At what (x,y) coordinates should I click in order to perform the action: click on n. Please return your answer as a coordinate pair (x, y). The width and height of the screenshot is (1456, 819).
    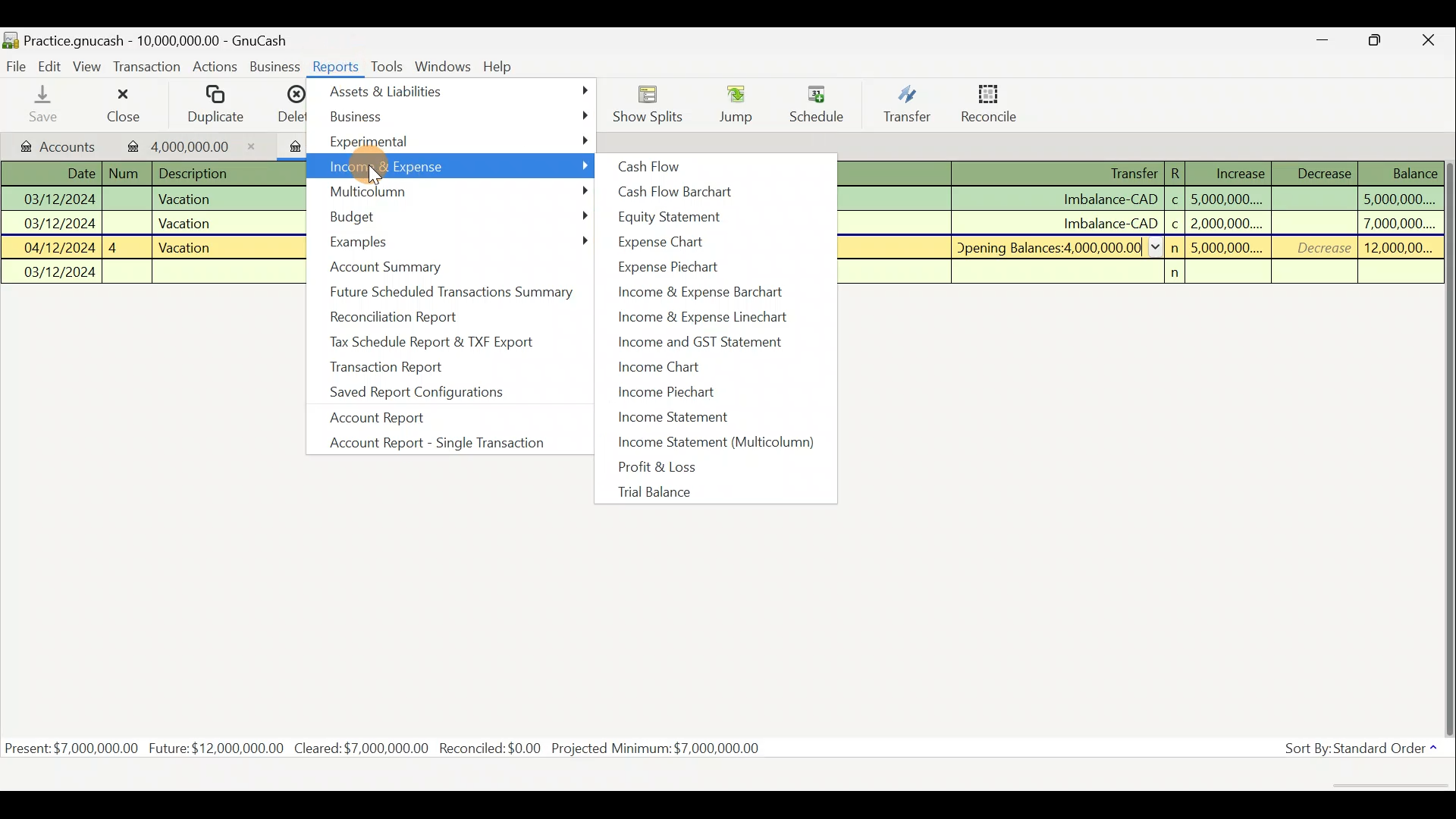
    Looking at the image, I should click on (1175, 272).